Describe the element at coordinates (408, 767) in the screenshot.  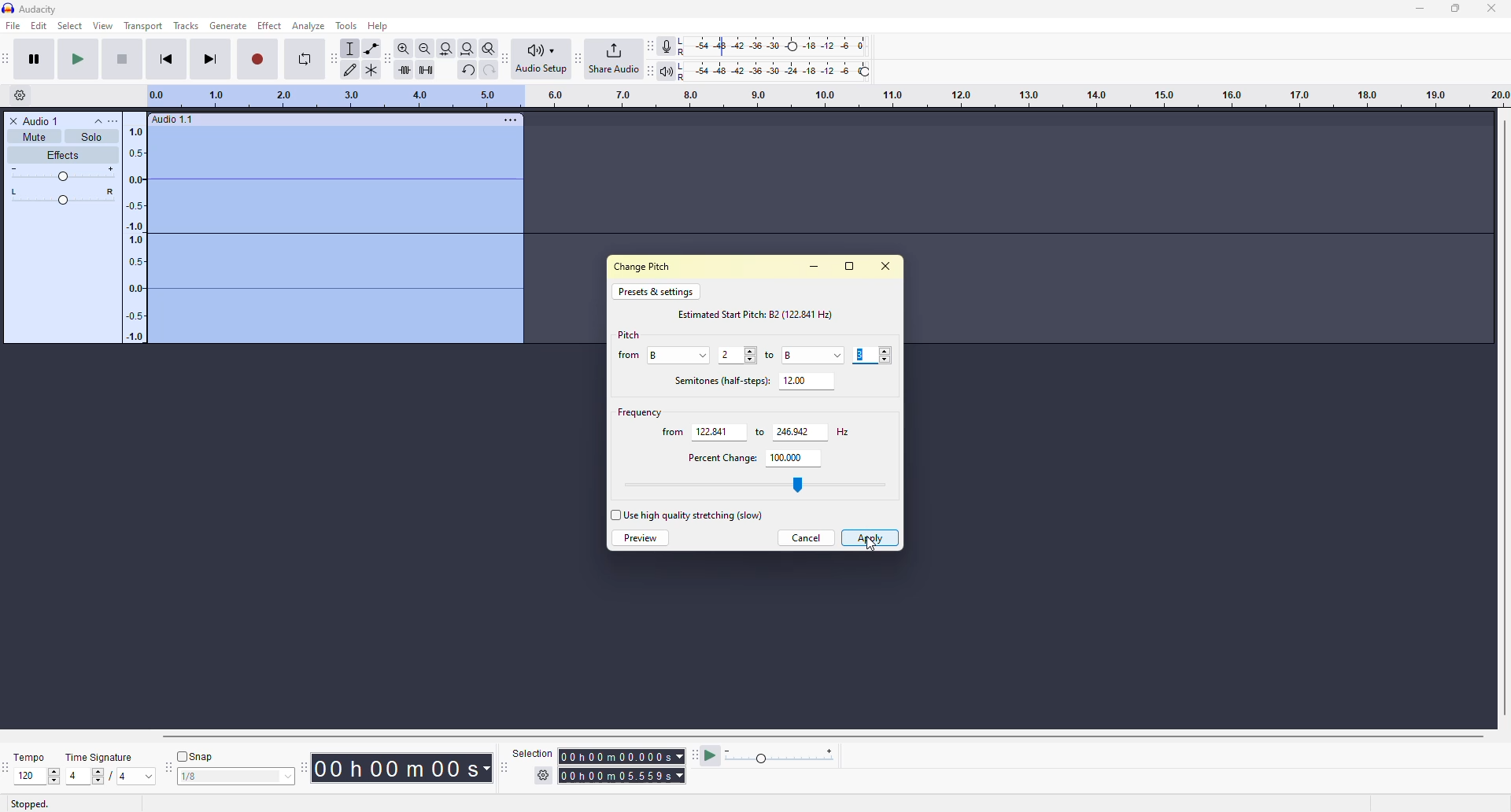
I see `time` at that location.